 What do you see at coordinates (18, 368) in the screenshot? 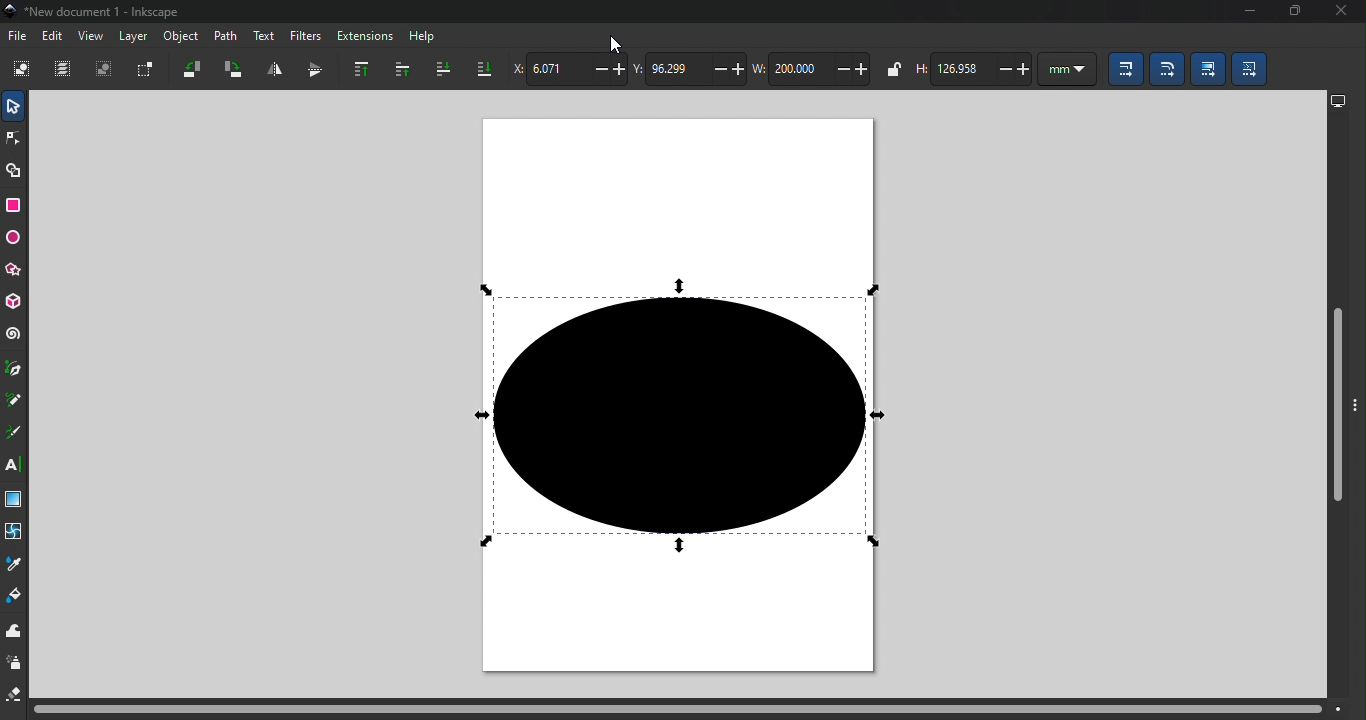
I see `Pen tool` at bounding box center [18, 368].